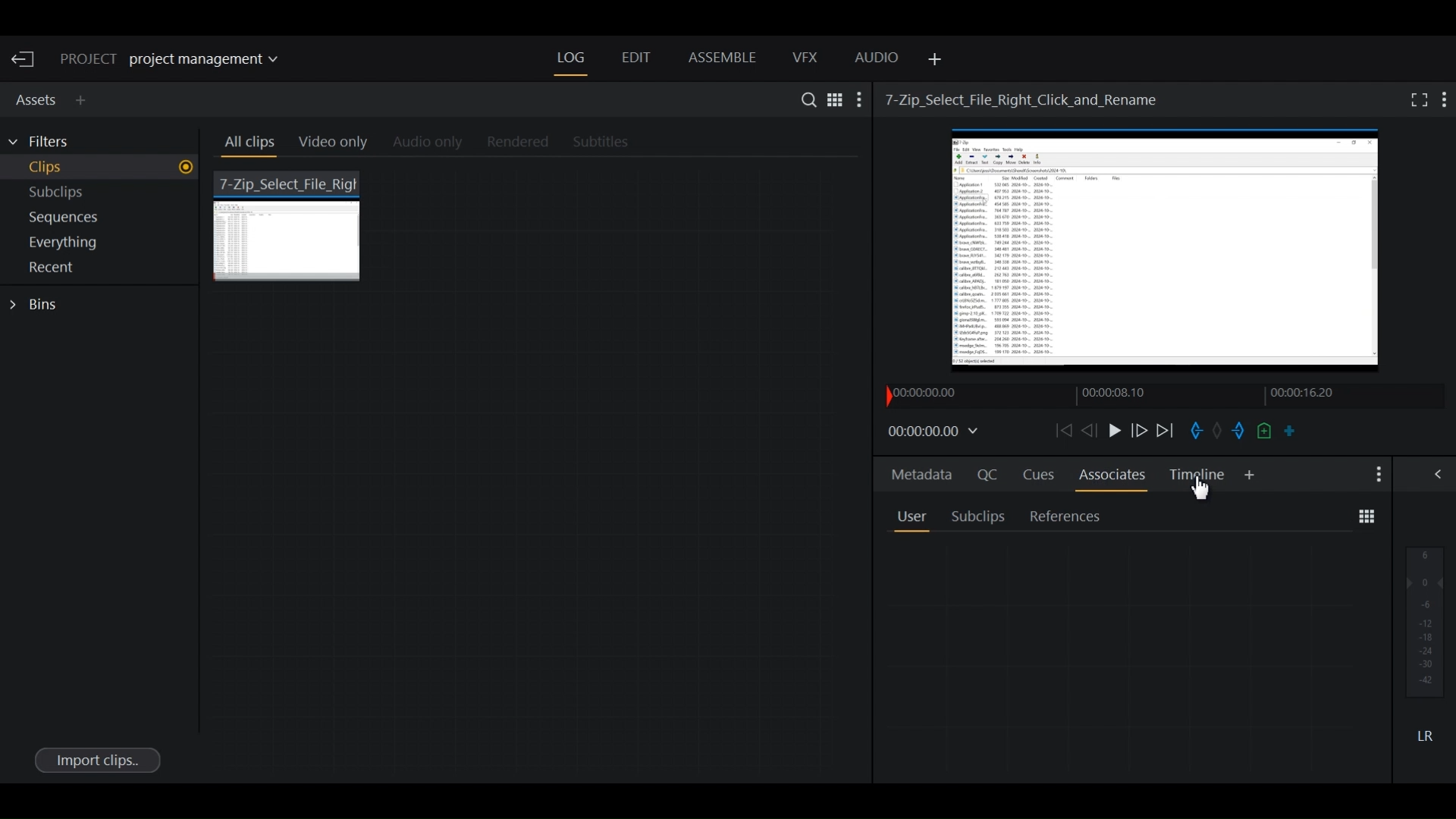  Describe the element at coordinates (180, 60) in the screenshot. I see `Show/change current project details` at that location.